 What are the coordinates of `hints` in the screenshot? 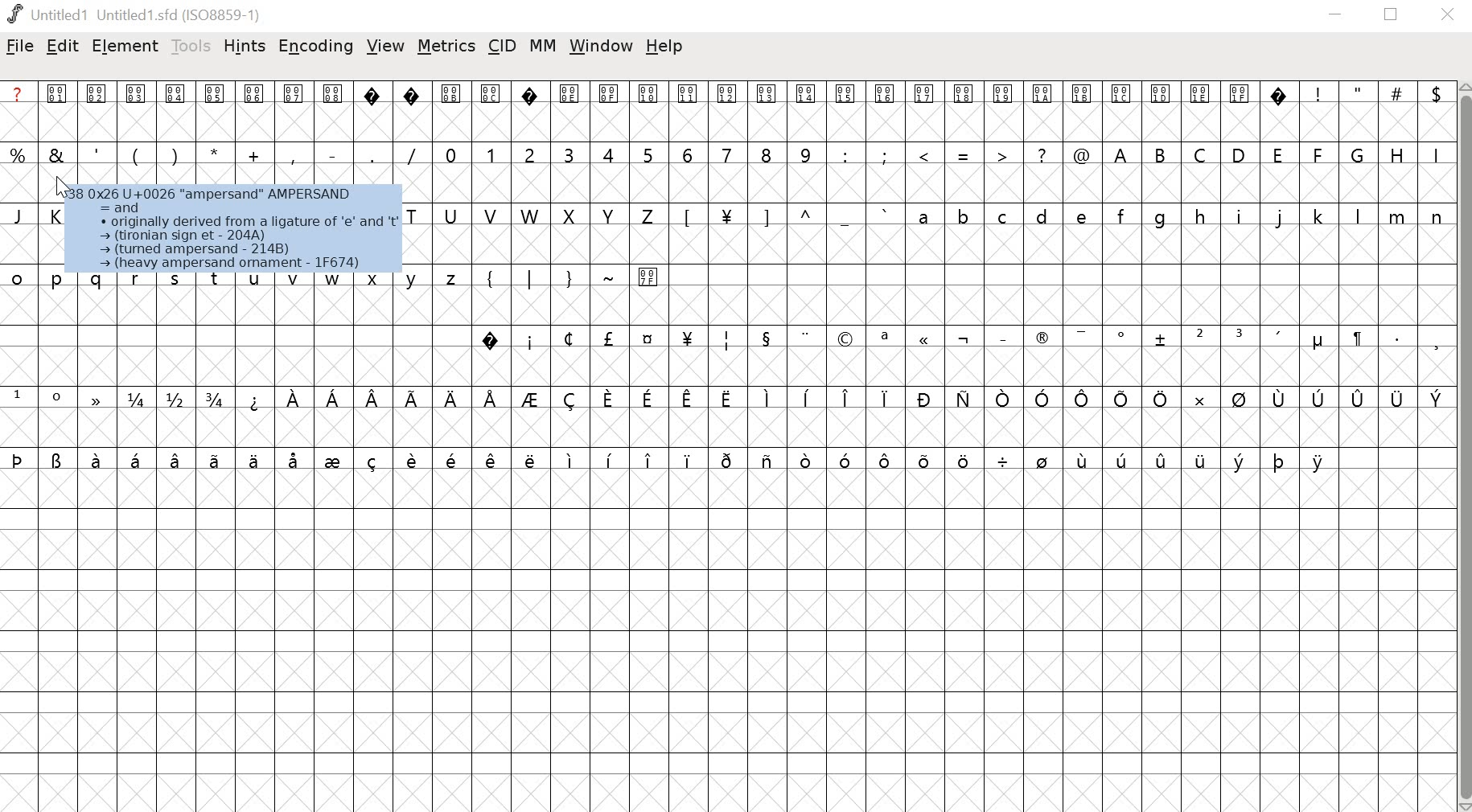 It's located at (247, 45).